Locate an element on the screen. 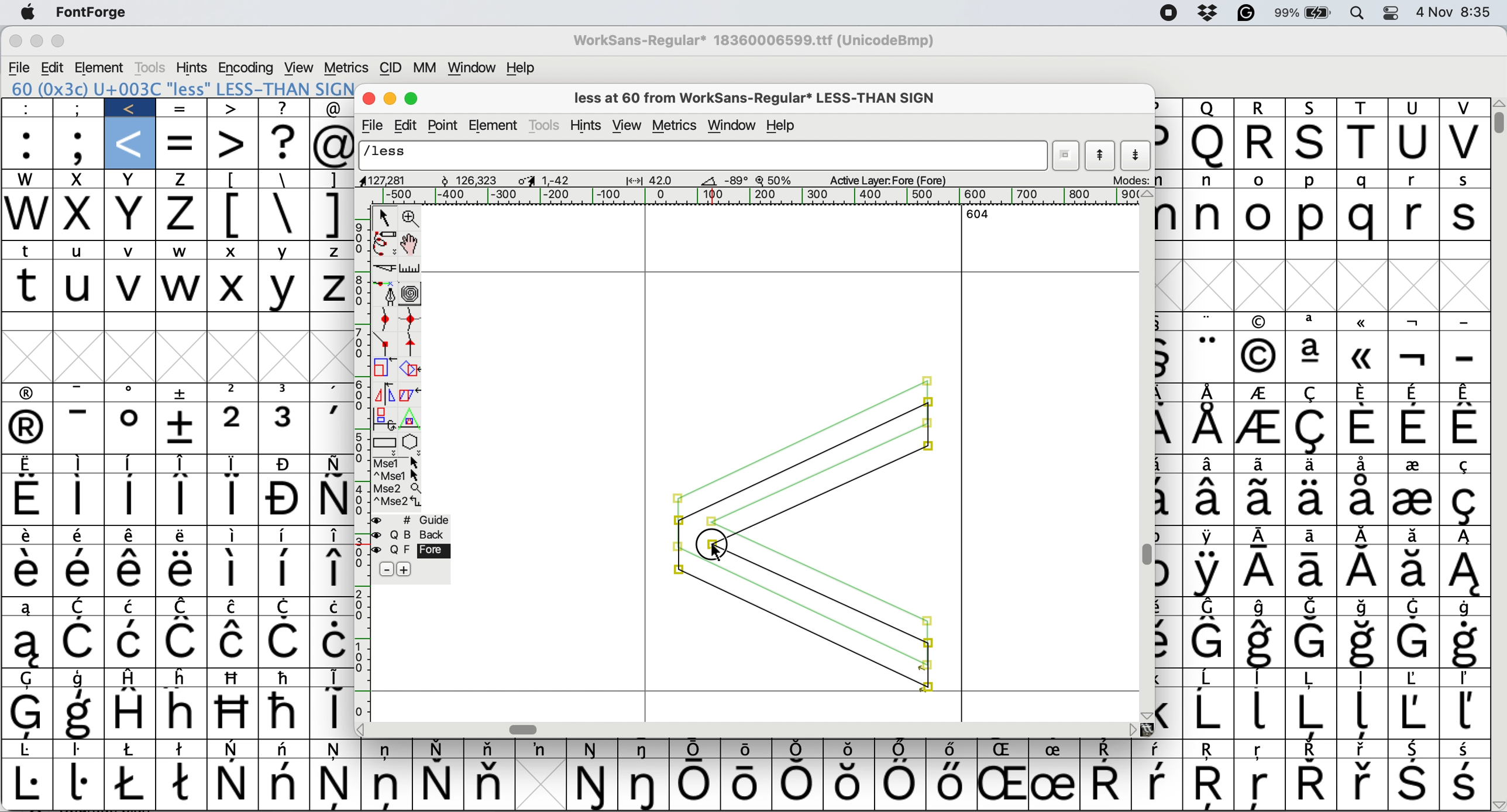 The width and height of the screenshot is (1507, 812). Symbol is located at coordinates (1312, 357).